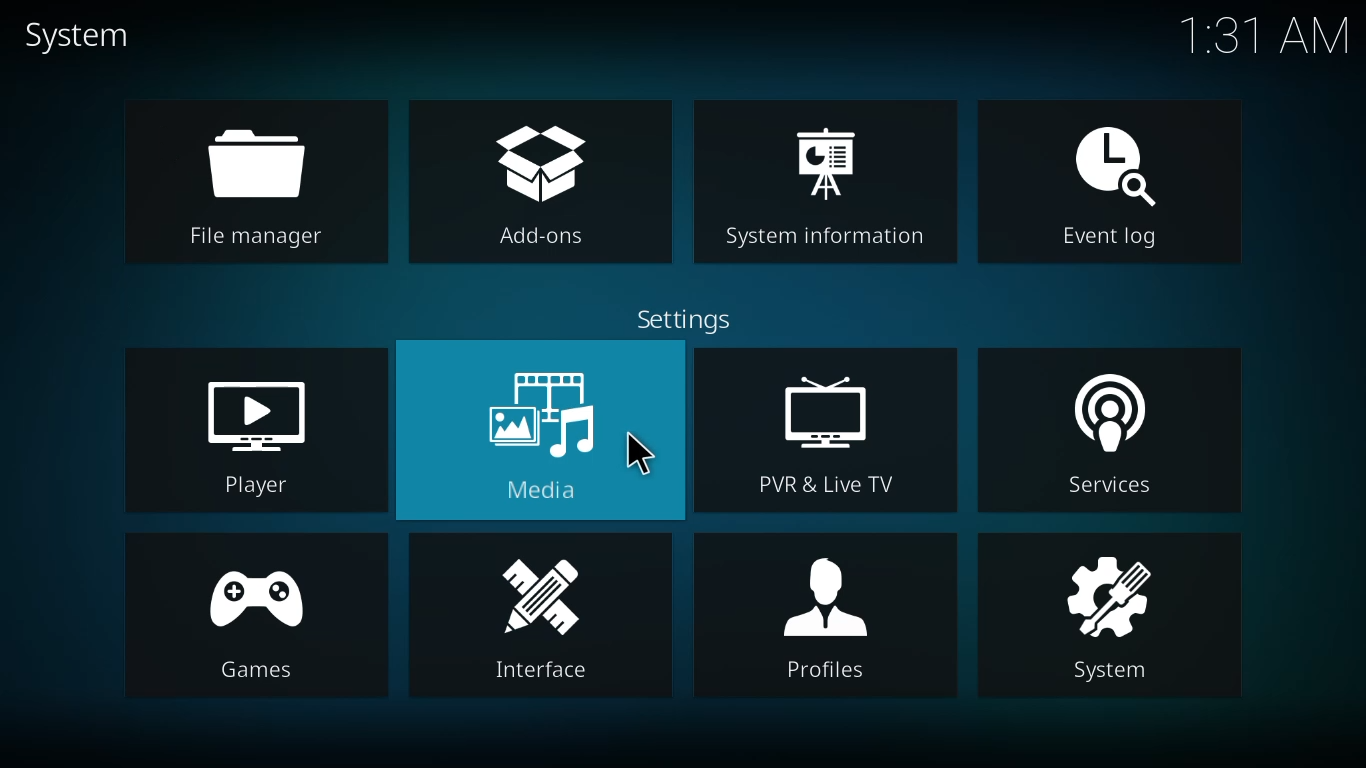 This screenshot has width=1366, height=768. Describe the element at coordinates (691, 322) in the screenshot. I see `settings` at that location.